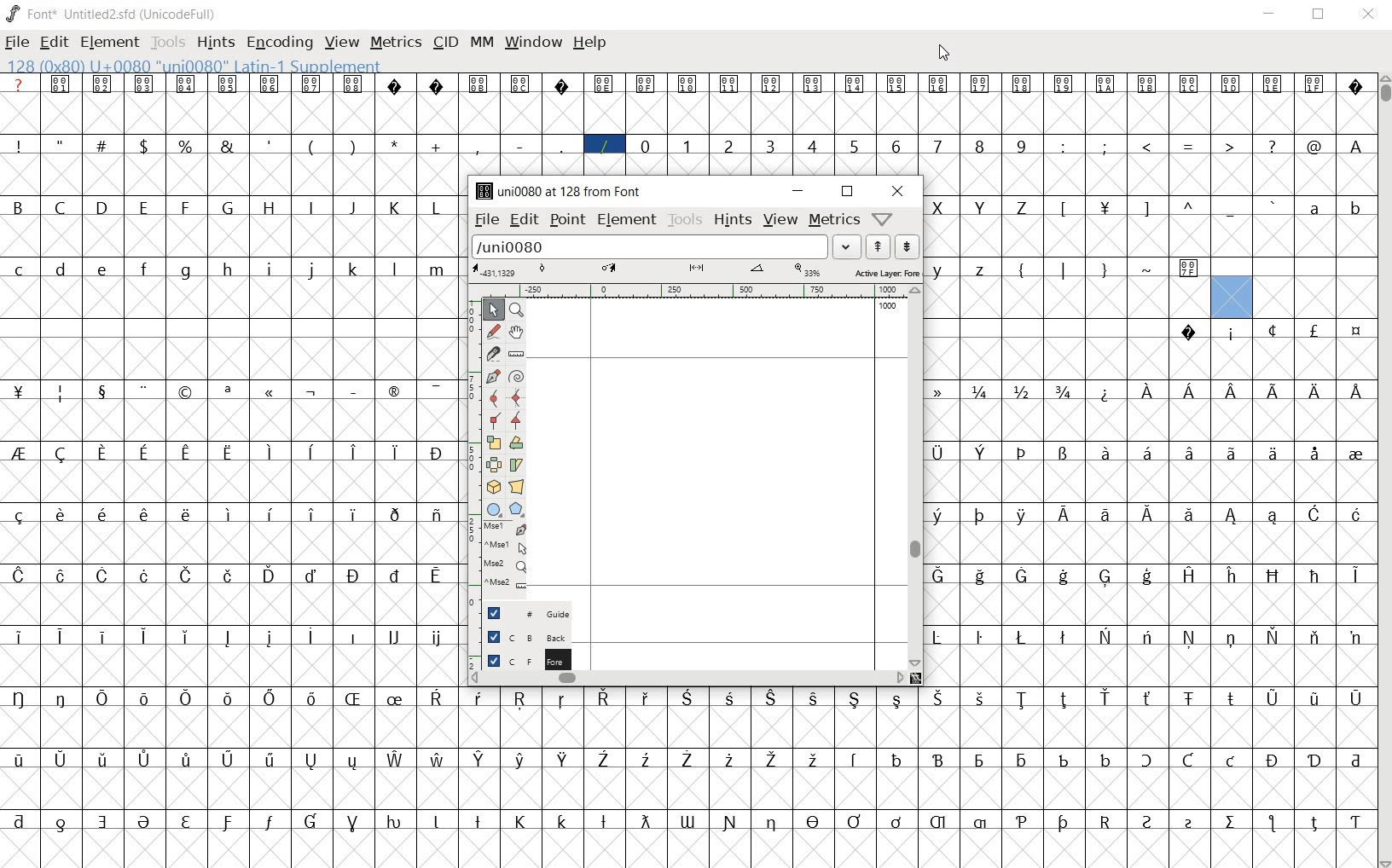  I want to click on glyph, so click(60, 636).